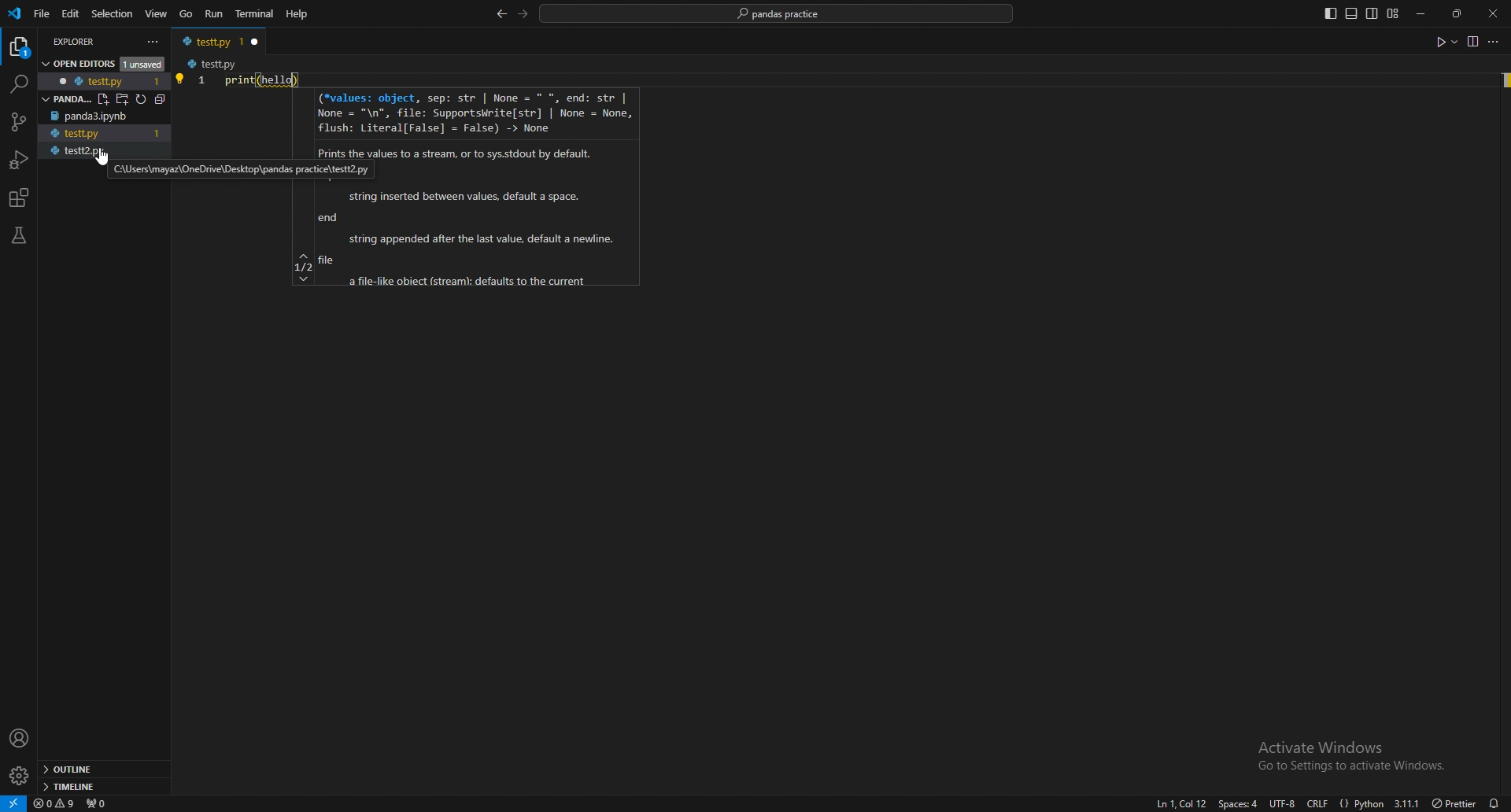 The width and height of the screenshot is (1511, 812). I want to click on panda3.ipynb, so click(105, 116).